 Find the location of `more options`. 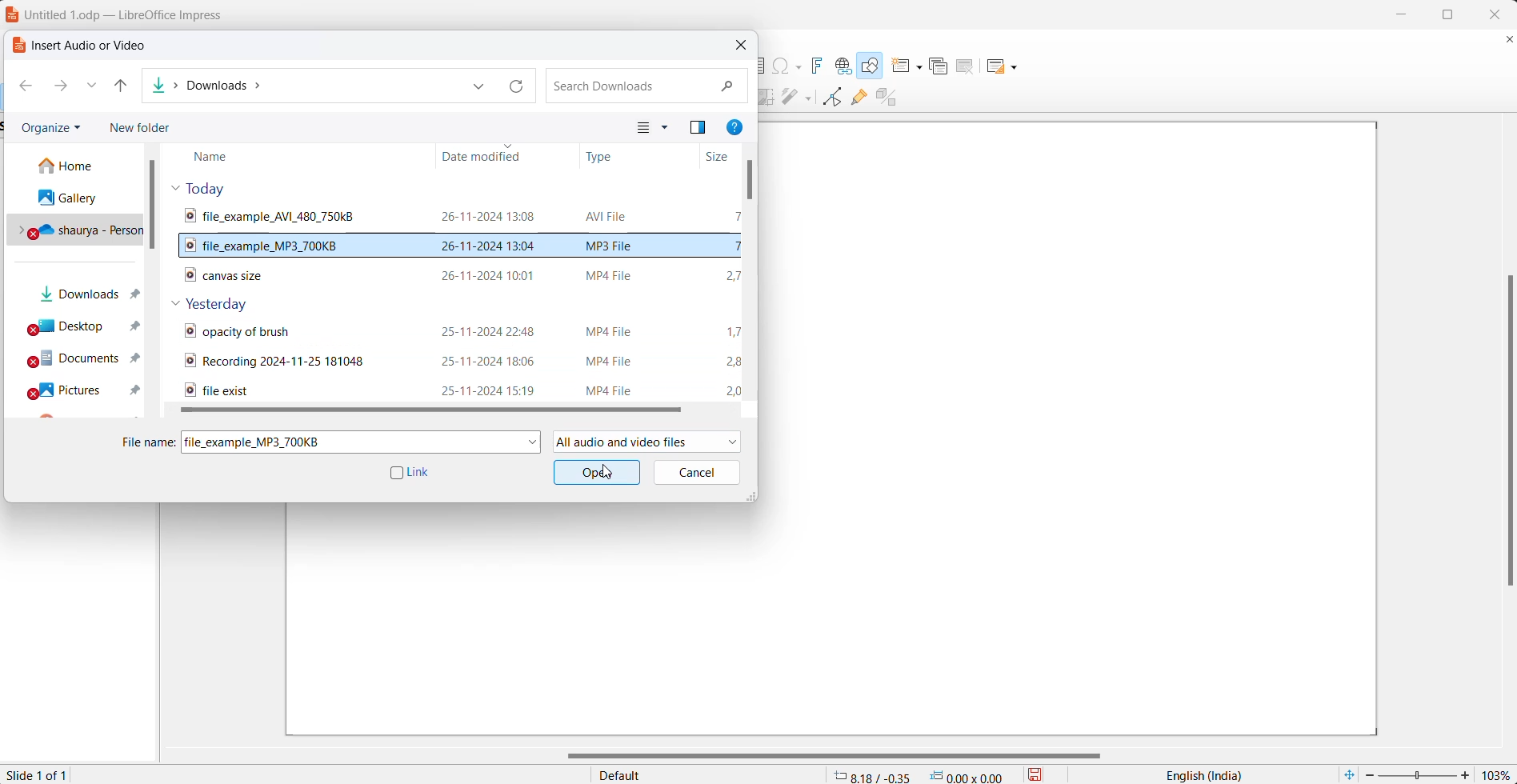

more options is located at coordinates (668, 128).